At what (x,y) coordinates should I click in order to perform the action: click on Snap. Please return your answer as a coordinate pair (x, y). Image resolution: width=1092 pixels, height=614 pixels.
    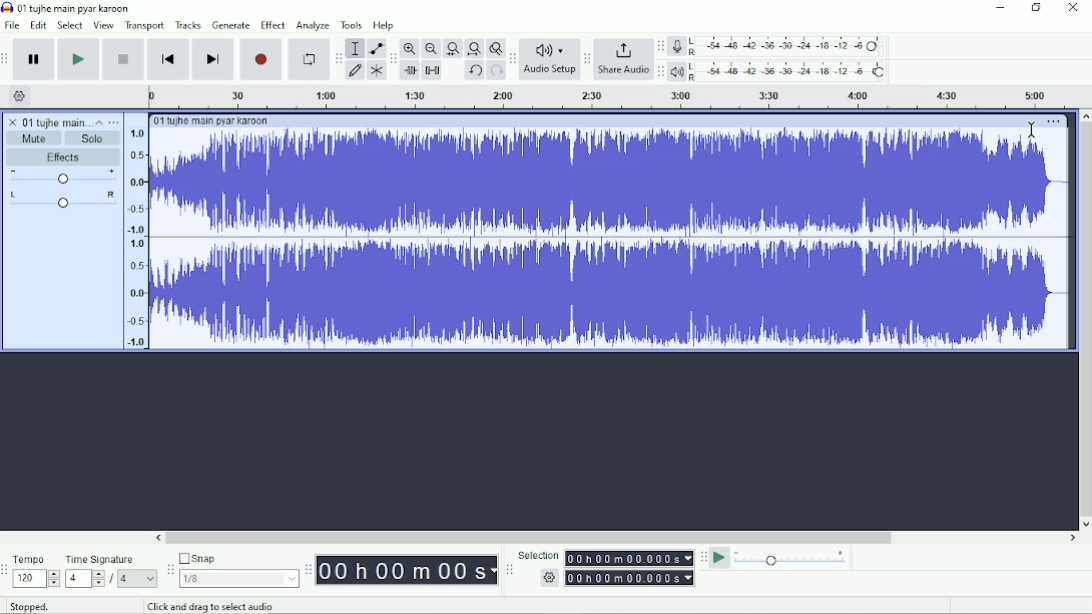
    Looking at the image, I should click on (239, 559).